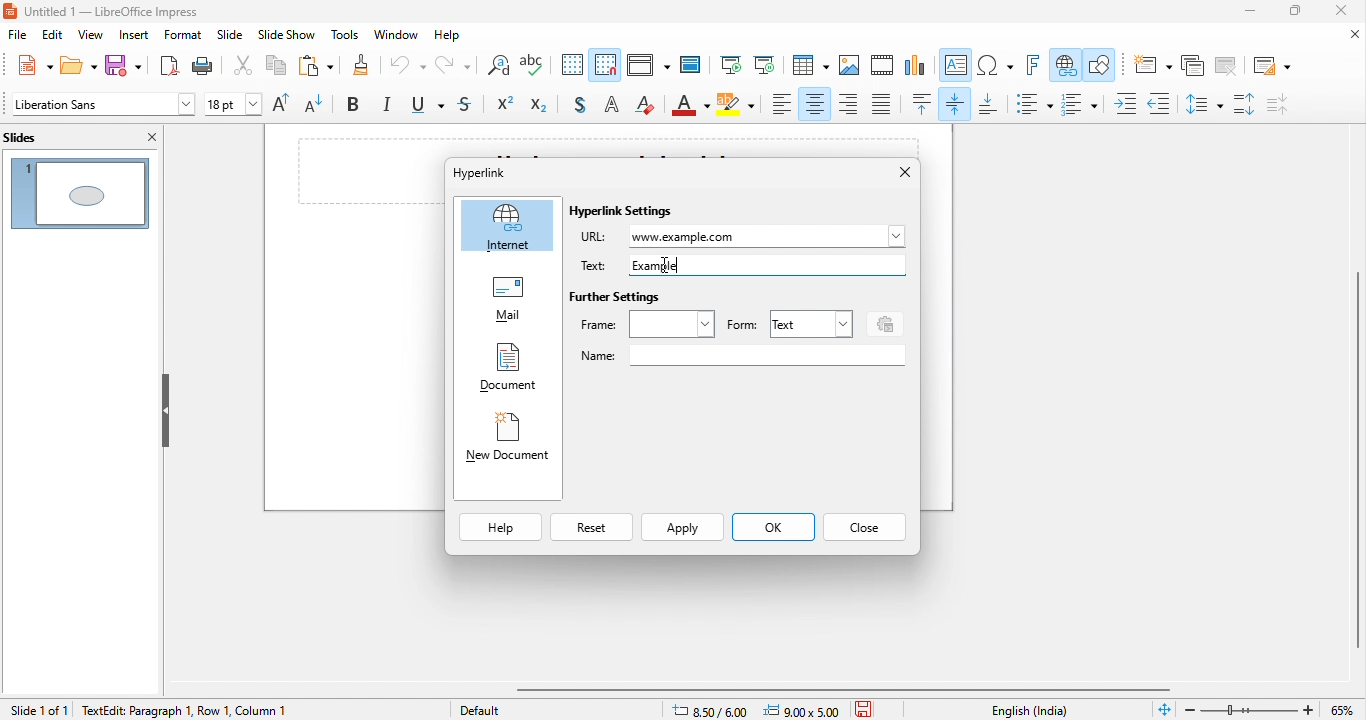  Describe the element at coordinates (1032, 710) in the screenshot. I see `text language` at that location.